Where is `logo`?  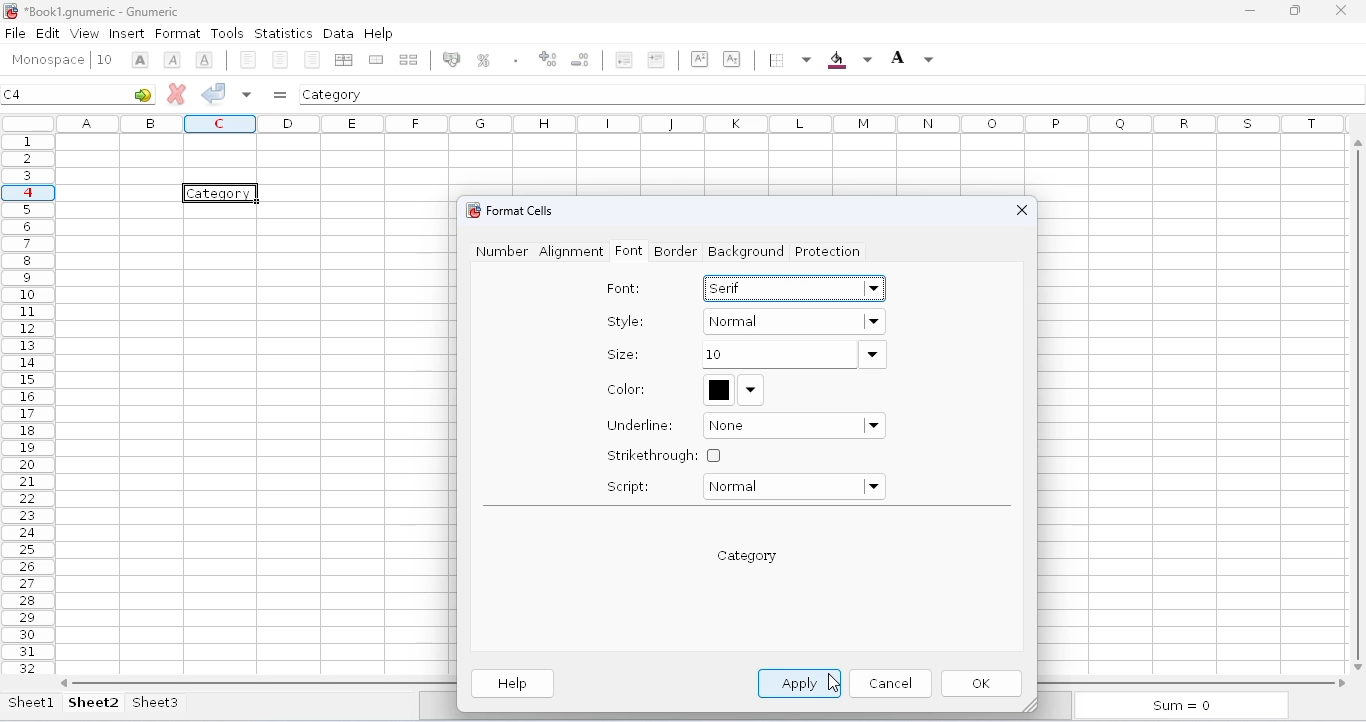 logo is located at coordinates (10, 11).